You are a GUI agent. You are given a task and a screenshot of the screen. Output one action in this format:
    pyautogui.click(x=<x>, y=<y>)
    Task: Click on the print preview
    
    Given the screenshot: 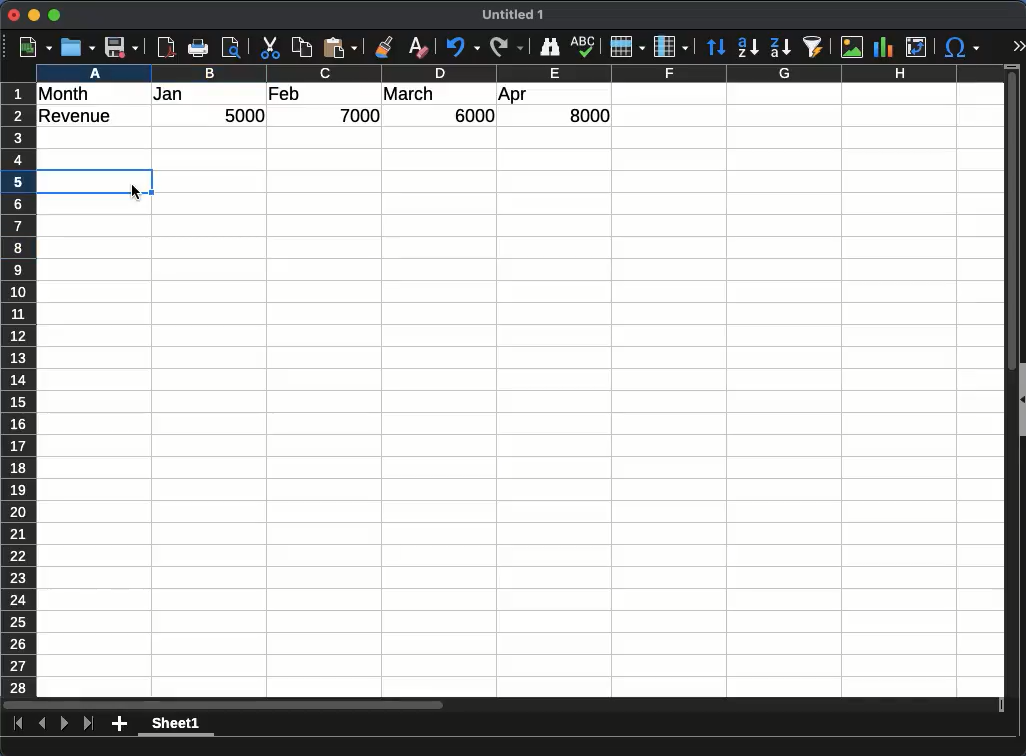 What is the action you would take?
    pyautogui.click(x=231, y=47)
    